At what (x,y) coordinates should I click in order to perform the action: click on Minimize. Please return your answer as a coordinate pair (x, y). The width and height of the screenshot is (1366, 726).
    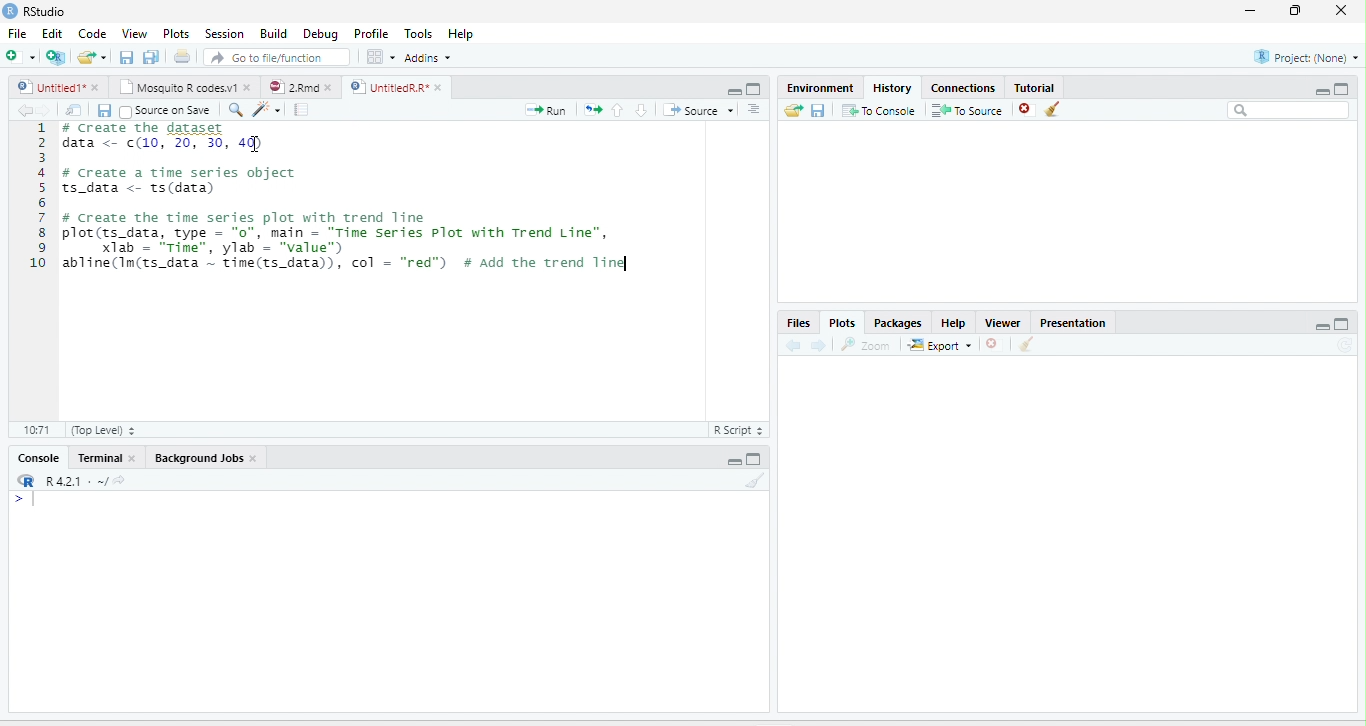
    Looking at the image, I should click on (733, 92).